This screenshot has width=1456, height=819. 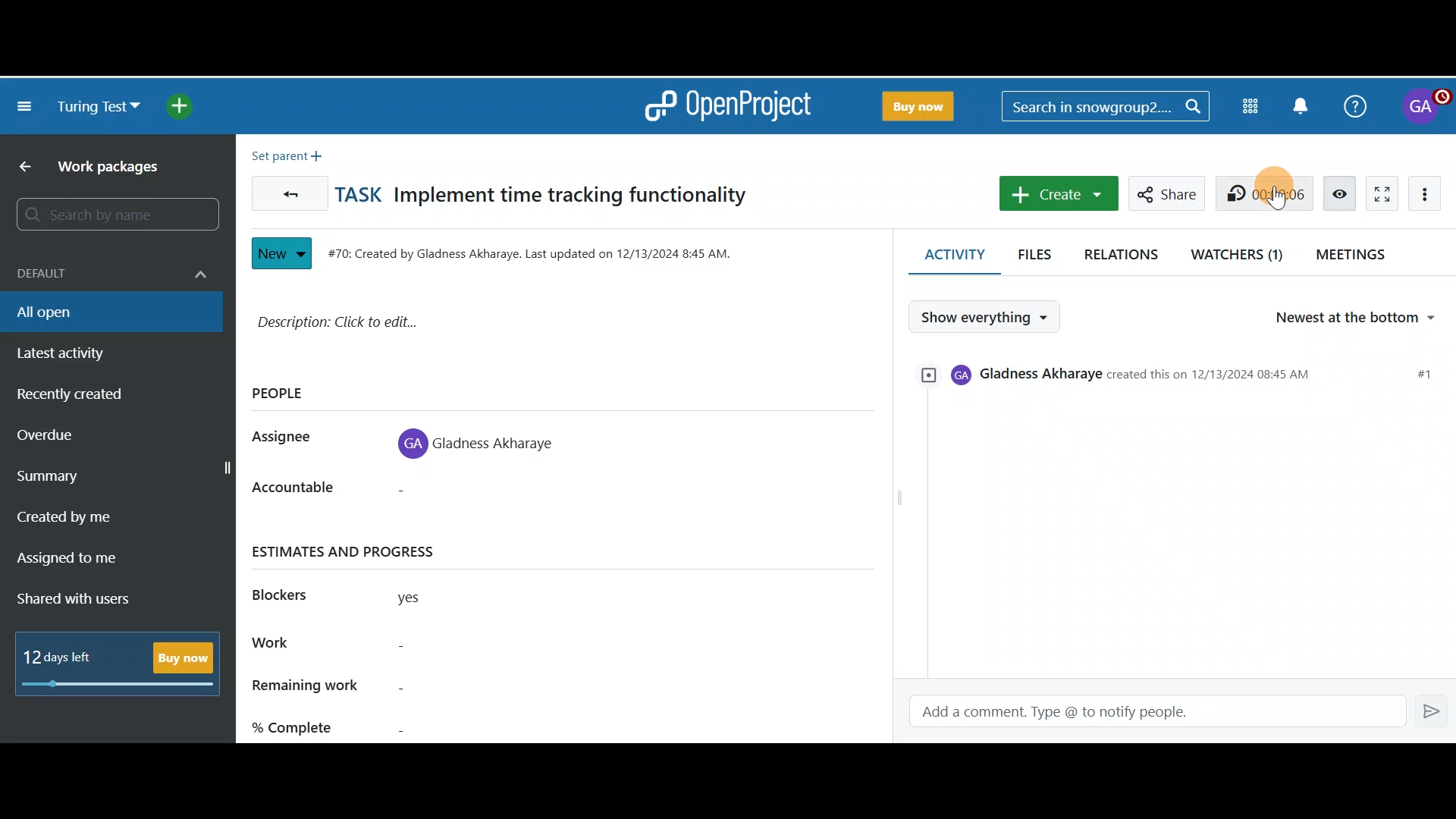 What do you see at coordinates (26, 108) in the screenshot?
I see `Collapse project menu` at bounding box center [26, 108].